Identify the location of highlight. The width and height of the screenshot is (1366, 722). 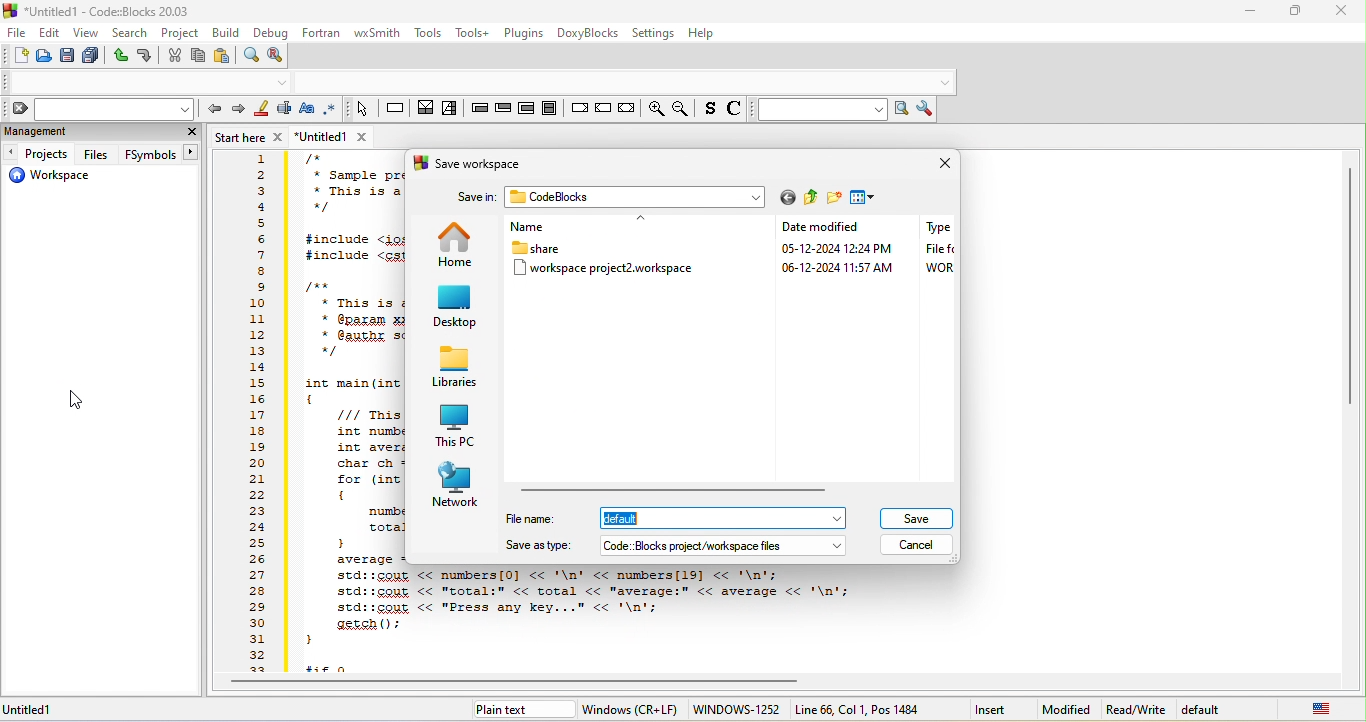
(261, 111).